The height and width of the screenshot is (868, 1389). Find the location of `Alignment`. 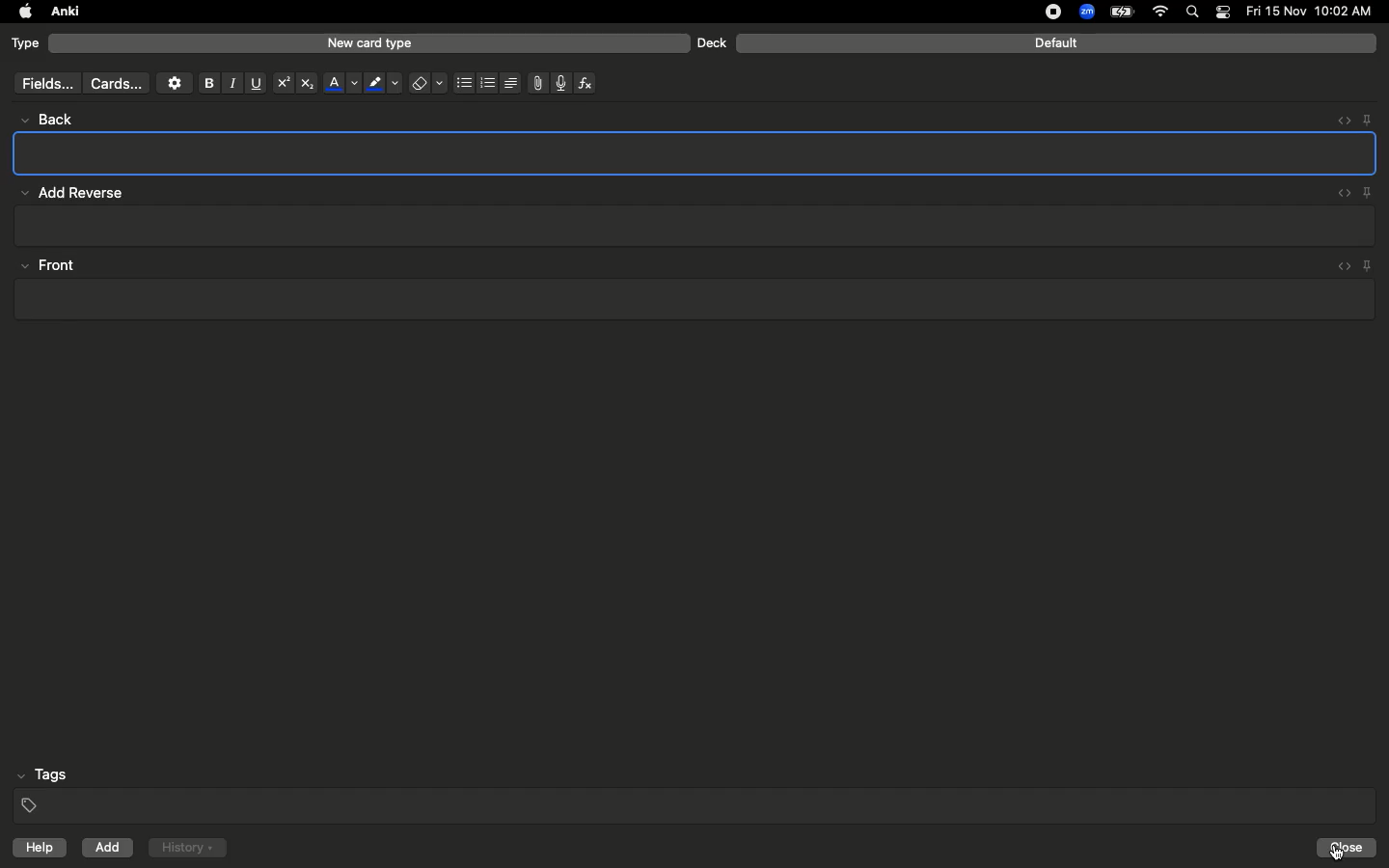

Alignment is located at coordinates (508, 81).